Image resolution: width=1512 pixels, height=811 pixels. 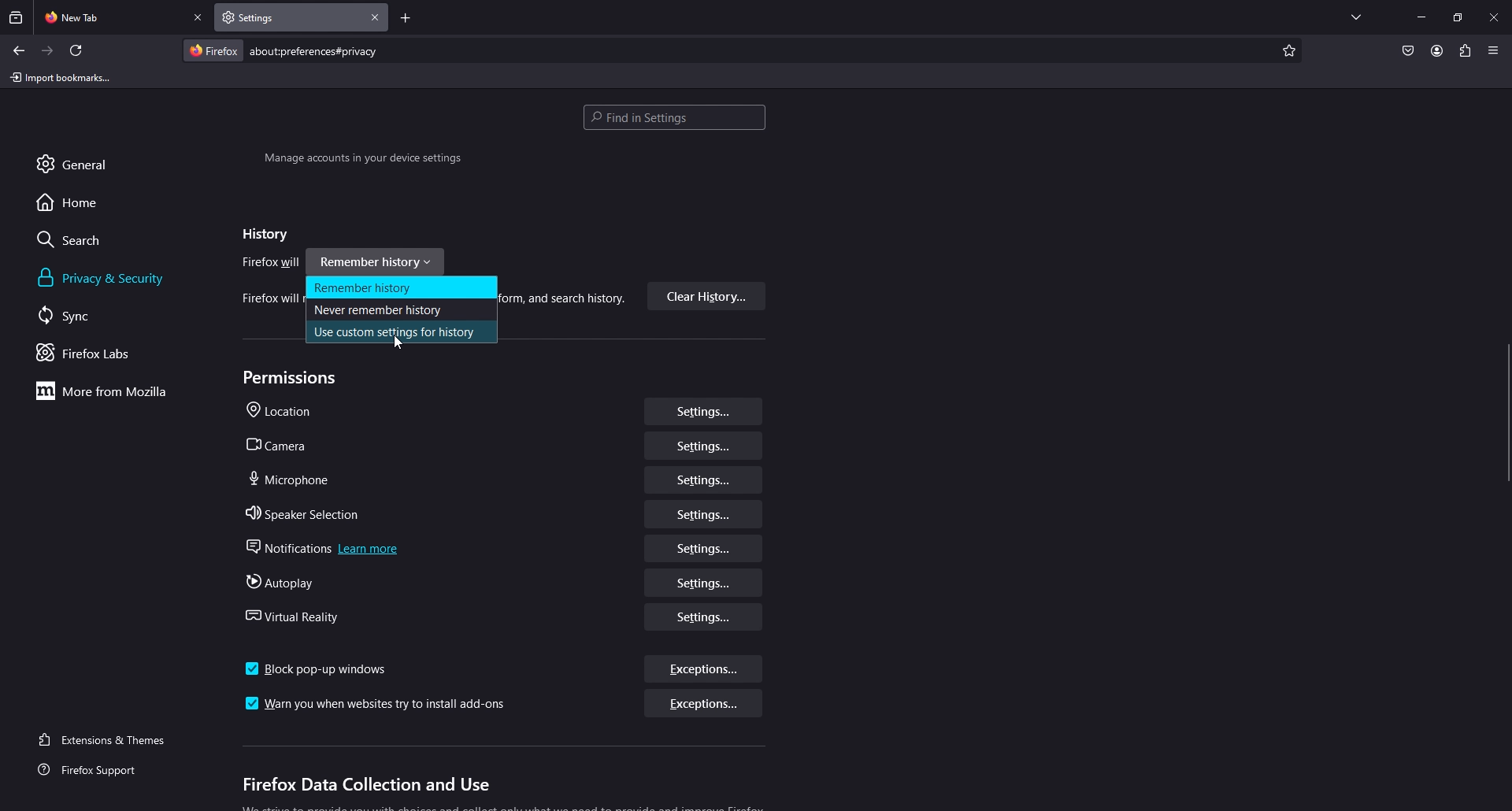 What do you see at coordinates (406, 20) in the screenshot?
I see `add tab` at bounding box center [406, 20].